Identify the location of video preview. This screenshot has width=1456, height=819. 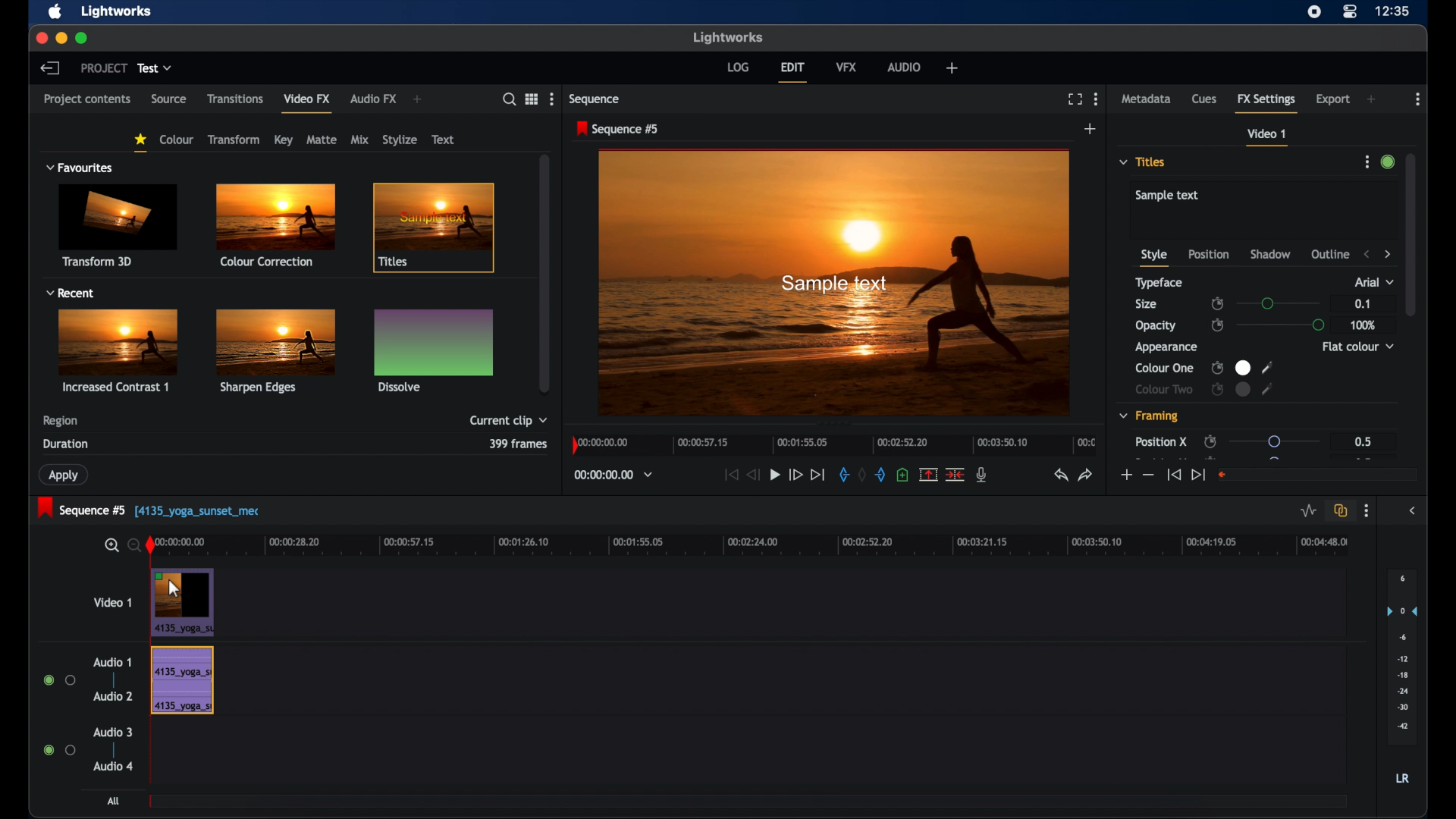
(833, 283).